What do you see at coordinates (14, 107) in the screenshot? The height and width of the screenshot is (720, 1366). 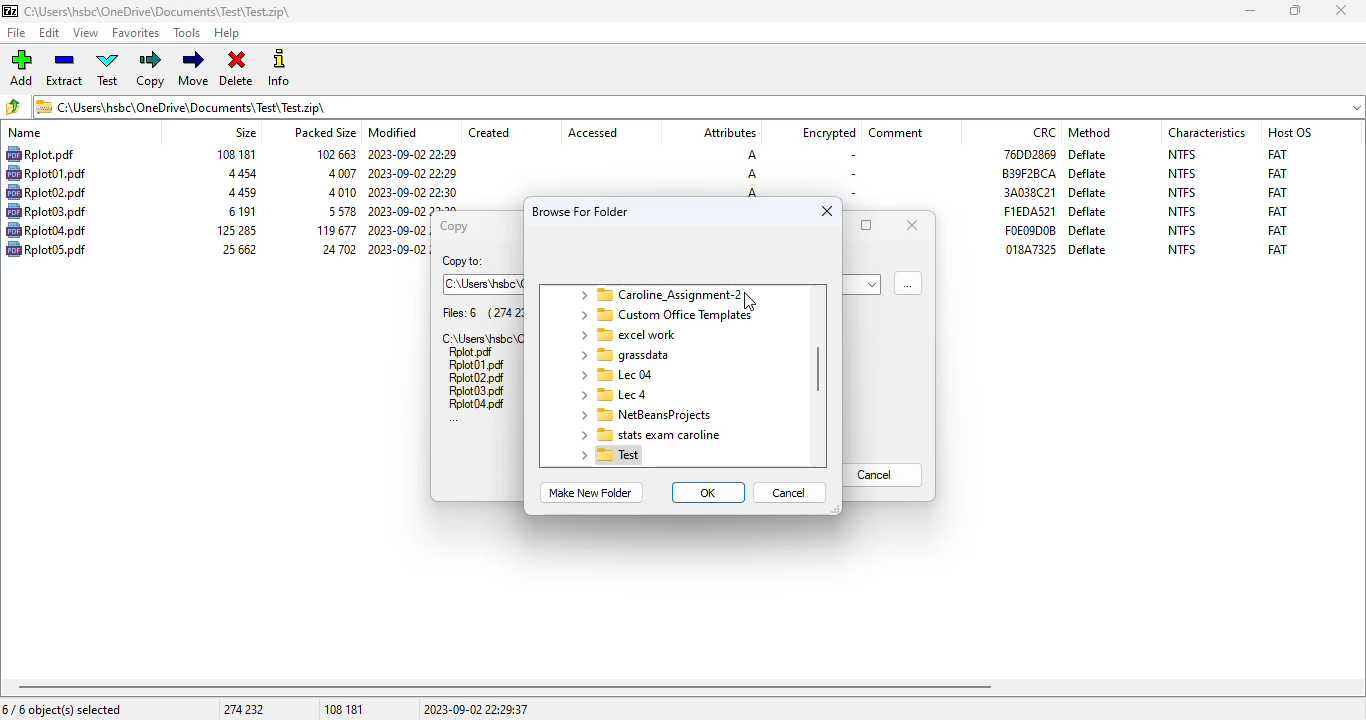 I see `browse folders` at bounding box center [14, 107].